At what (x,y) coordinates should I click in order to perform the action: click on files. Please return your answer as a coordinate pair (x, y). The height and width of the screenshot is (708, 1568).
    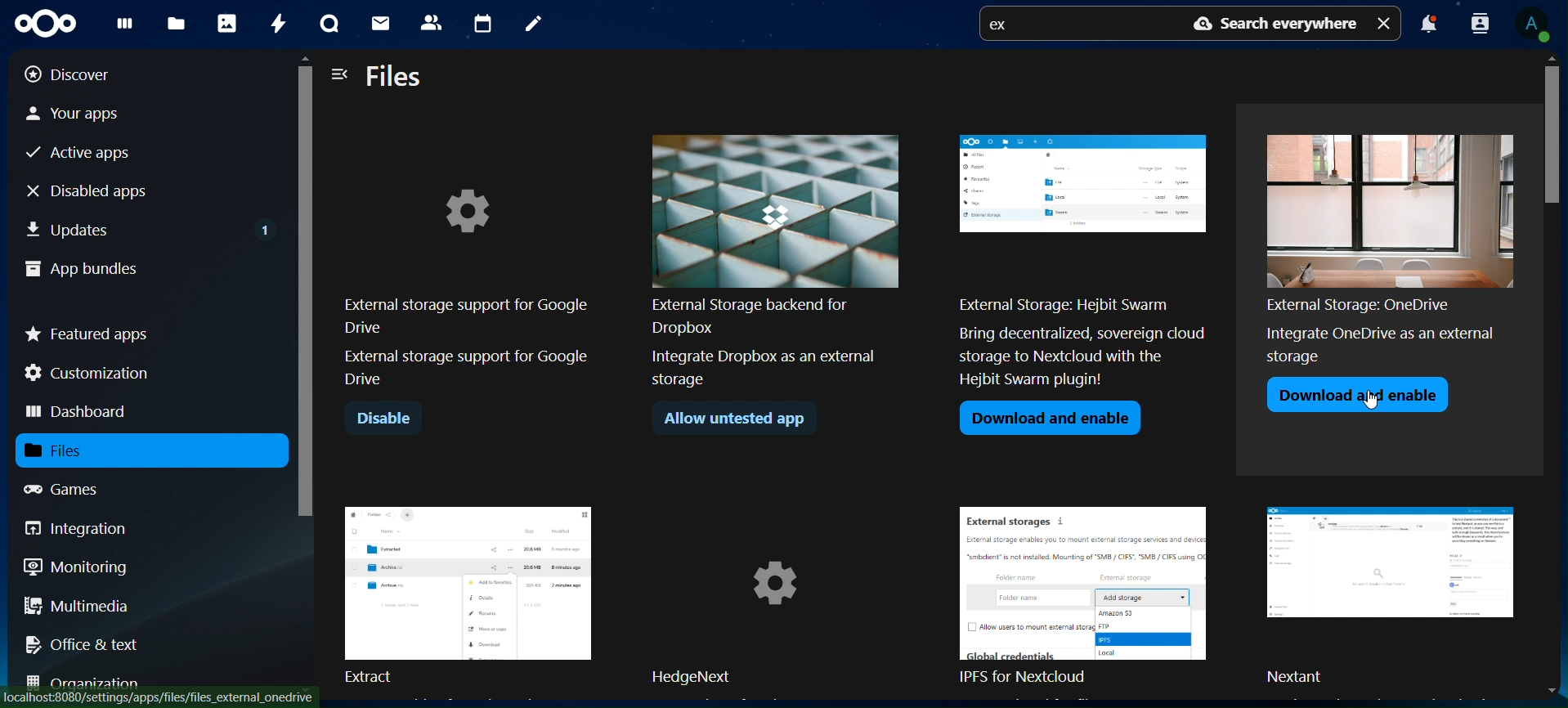
    Looking at the image, I should click on (179, 23).